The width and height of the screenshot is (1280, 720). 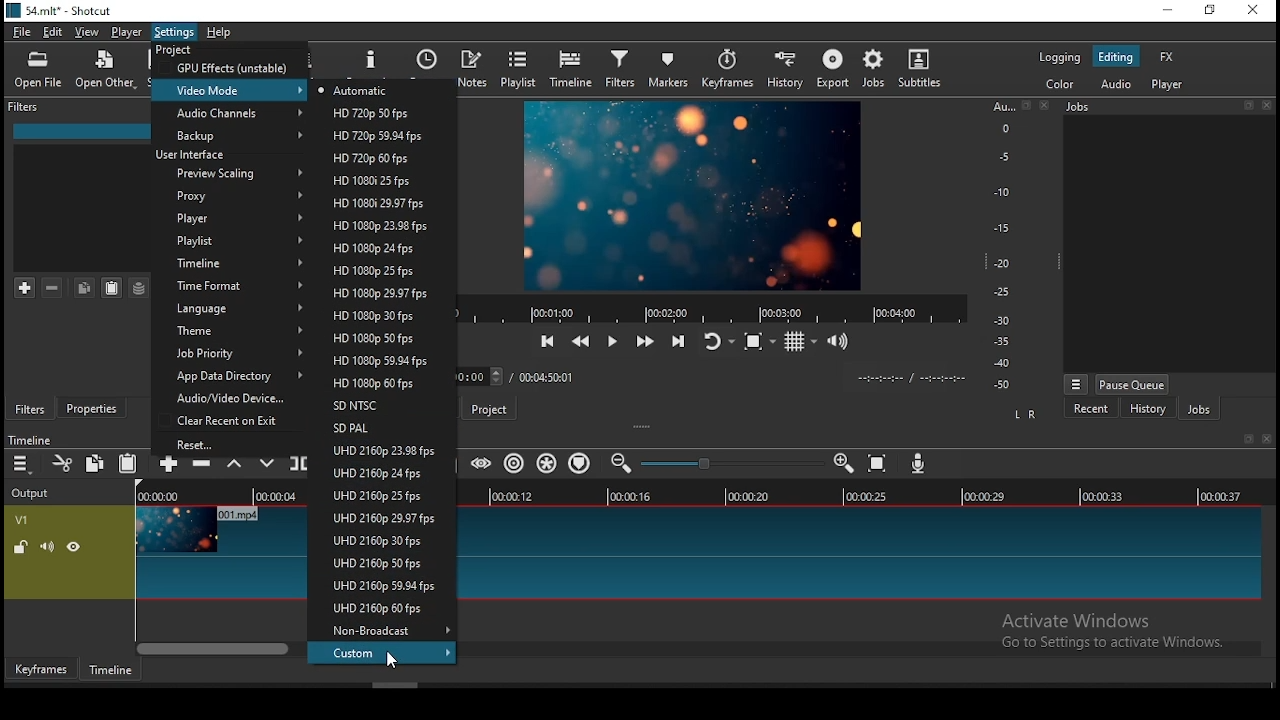 I want to click on playlist, so click(x=520, y=68).